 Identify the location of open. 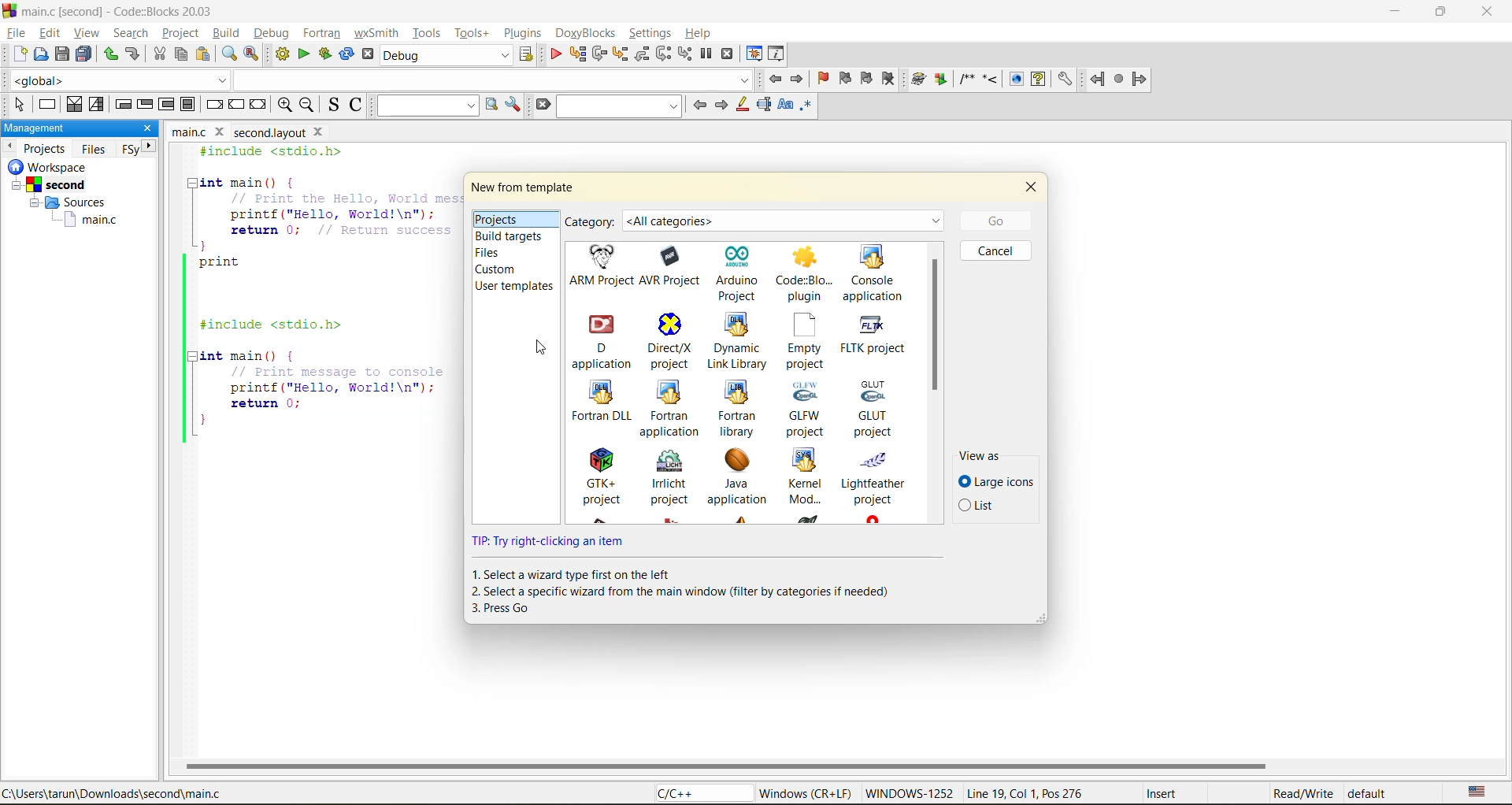
(39, 57).